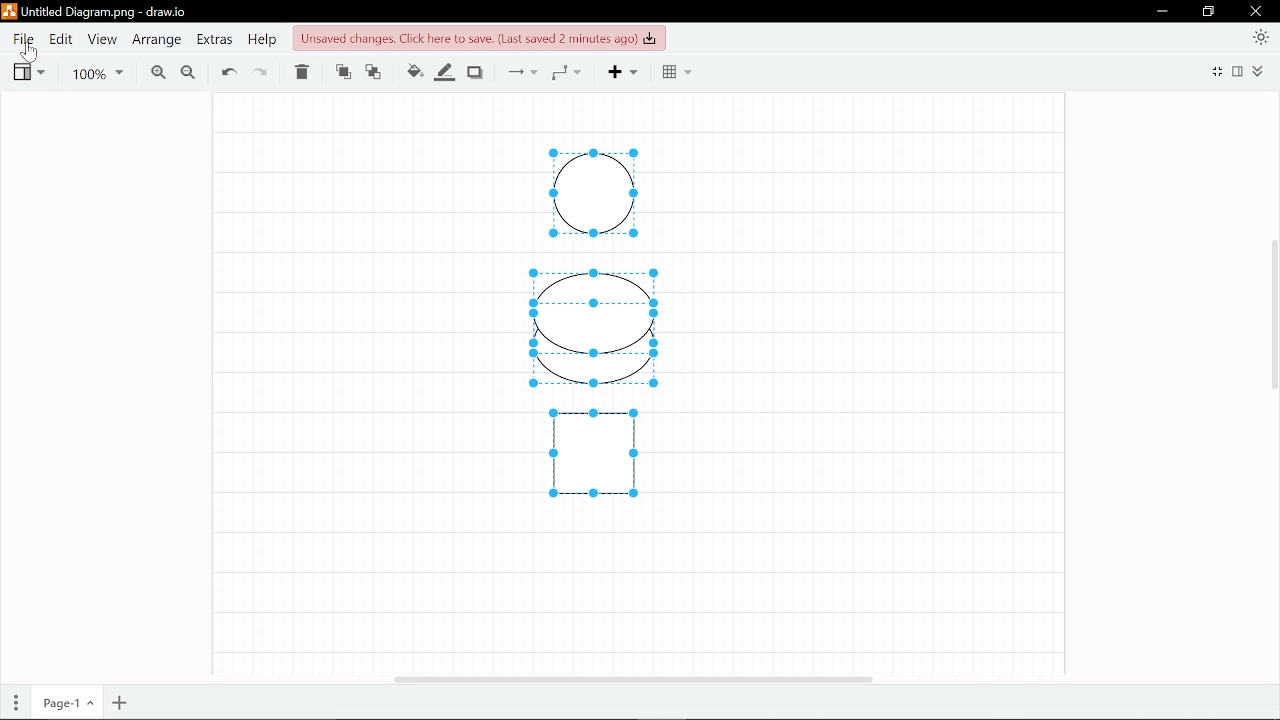  I want to click on Zoom in, so click(158, 74).